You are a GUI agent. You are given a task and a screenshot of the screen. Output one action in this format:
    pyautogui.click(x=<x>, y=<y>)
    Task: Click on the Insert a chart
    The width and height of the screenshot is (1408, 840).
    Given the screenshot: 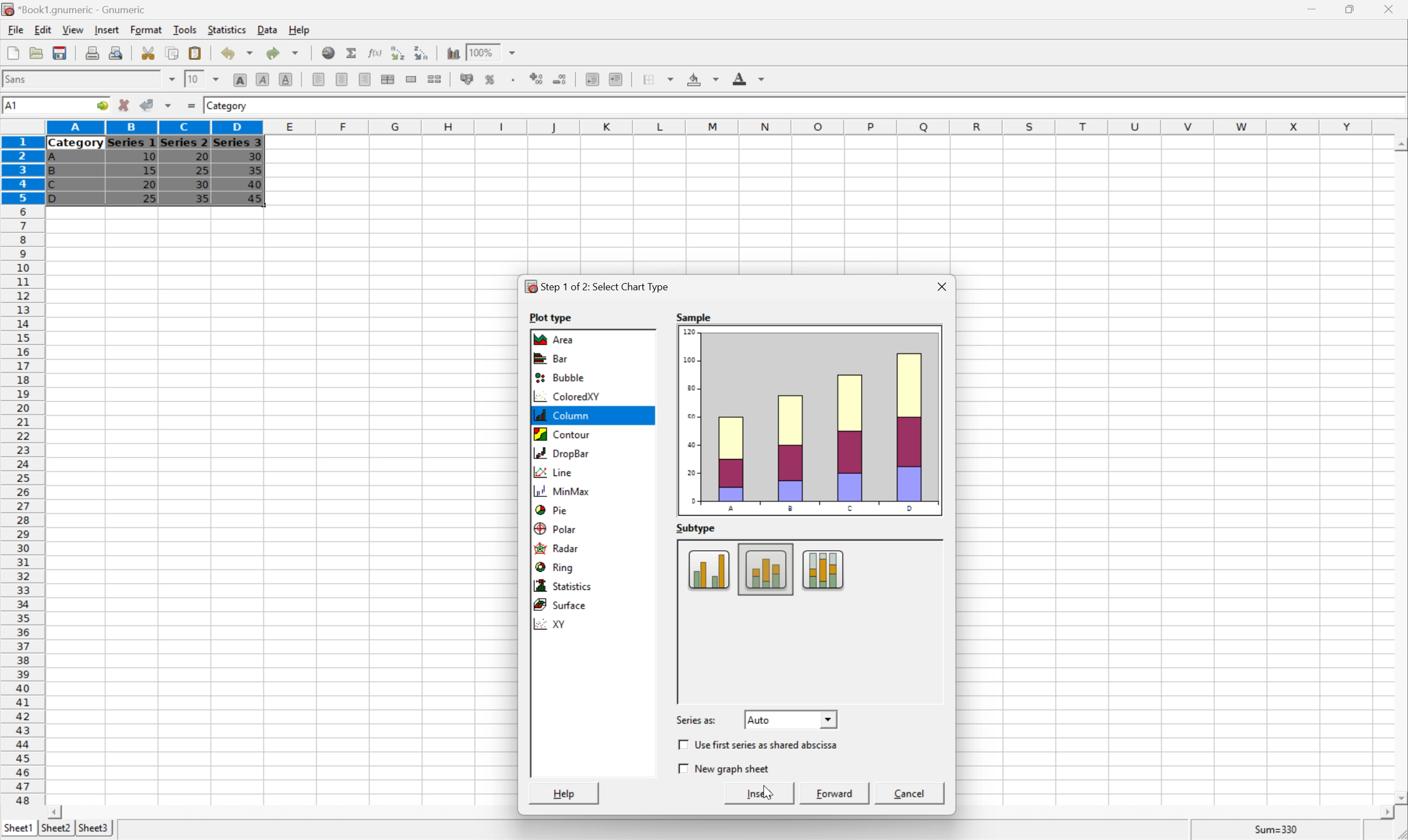 What is the action you would take?
    pyautogui.click(x=452, y=53)
    